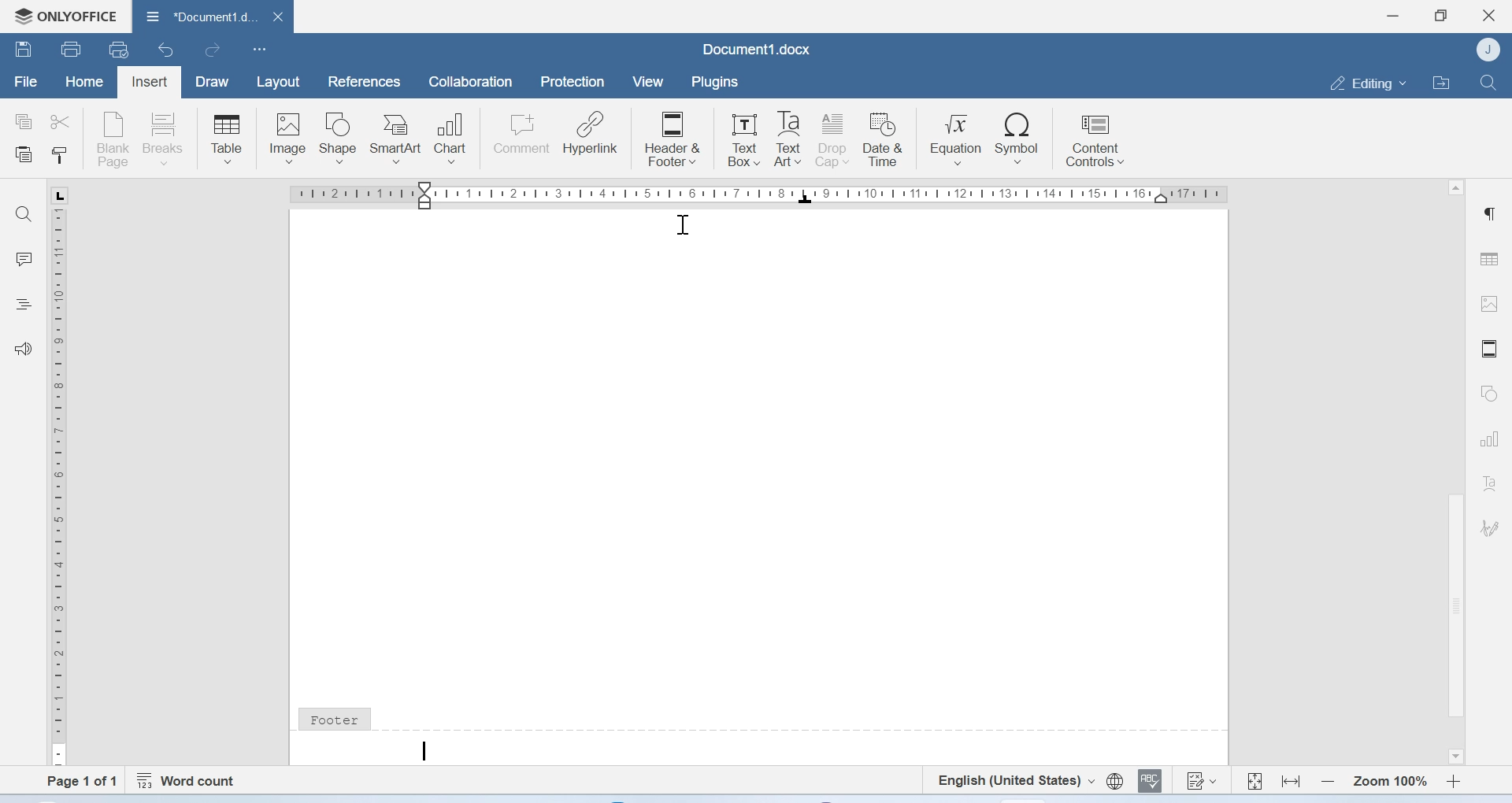  What do you see at coordinates (471, 83) in the screenshot?
I see `Collaboration` at bounding box center [471, 83].